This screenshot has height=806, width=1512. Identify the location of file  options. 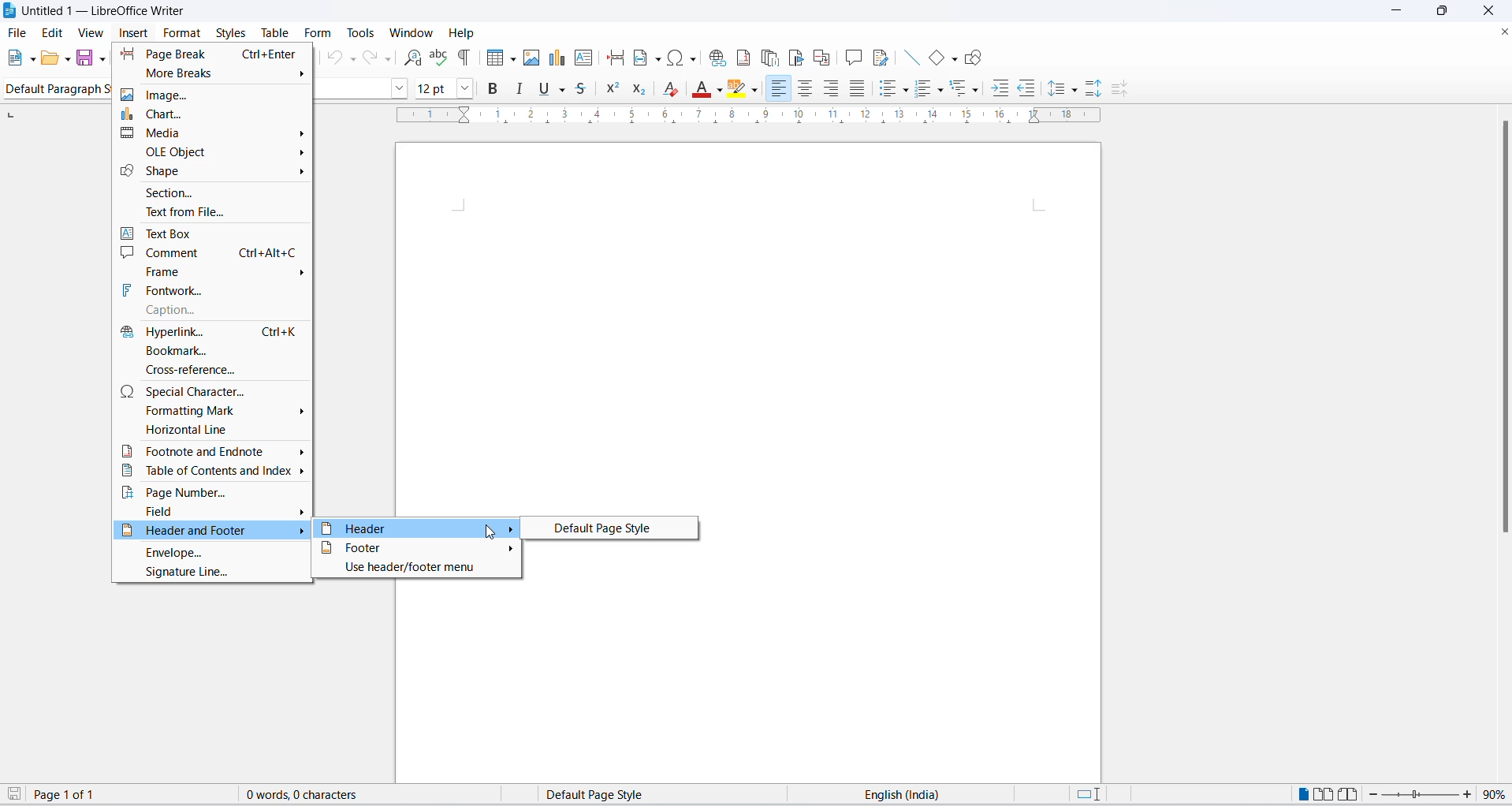
(32, 58).